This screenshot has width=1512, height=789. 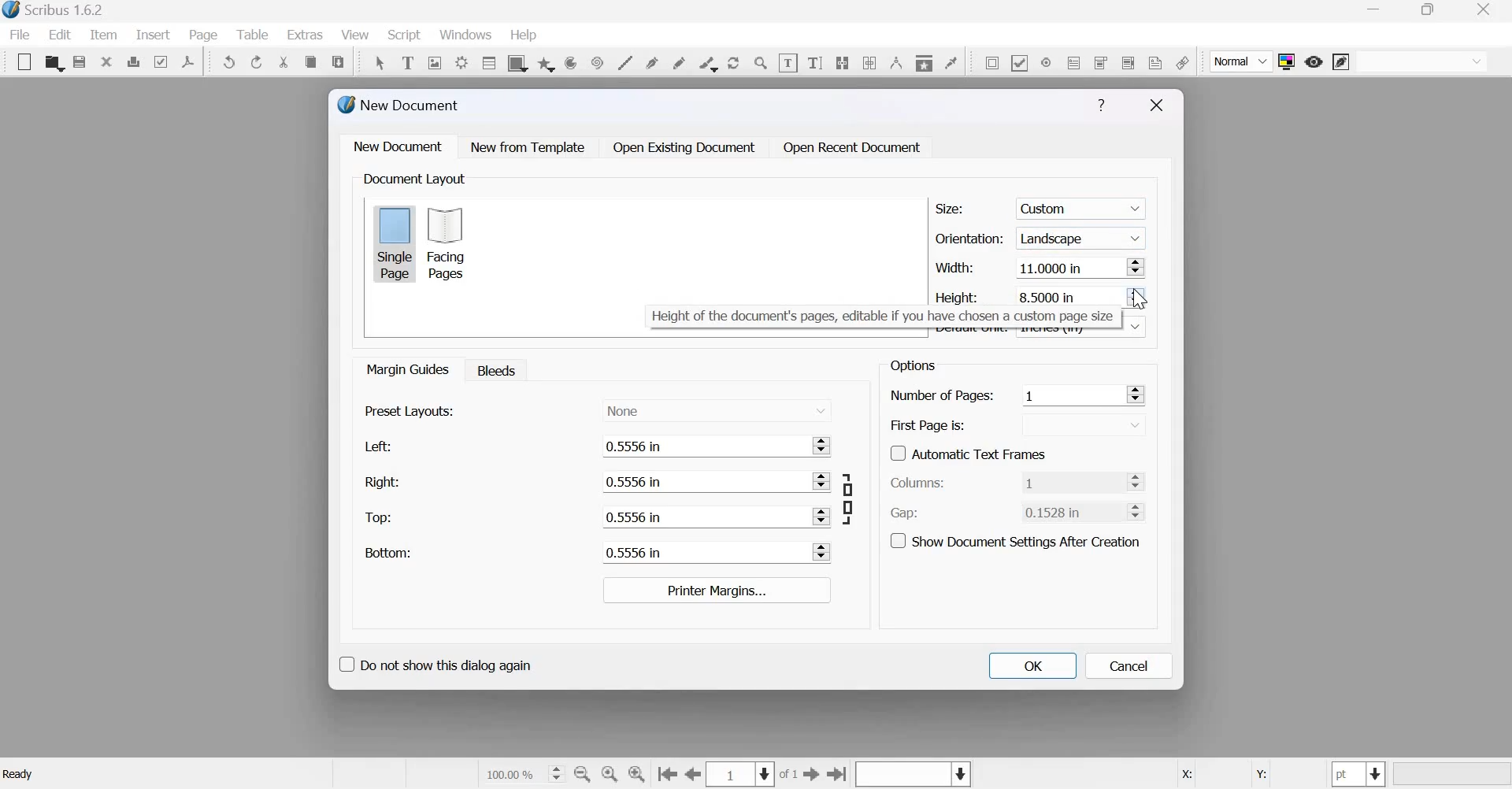 What do you see at coordinates (969, 452) in the screenshot?
I see `Automatic Text Frames` at bounding box center [969, 452].